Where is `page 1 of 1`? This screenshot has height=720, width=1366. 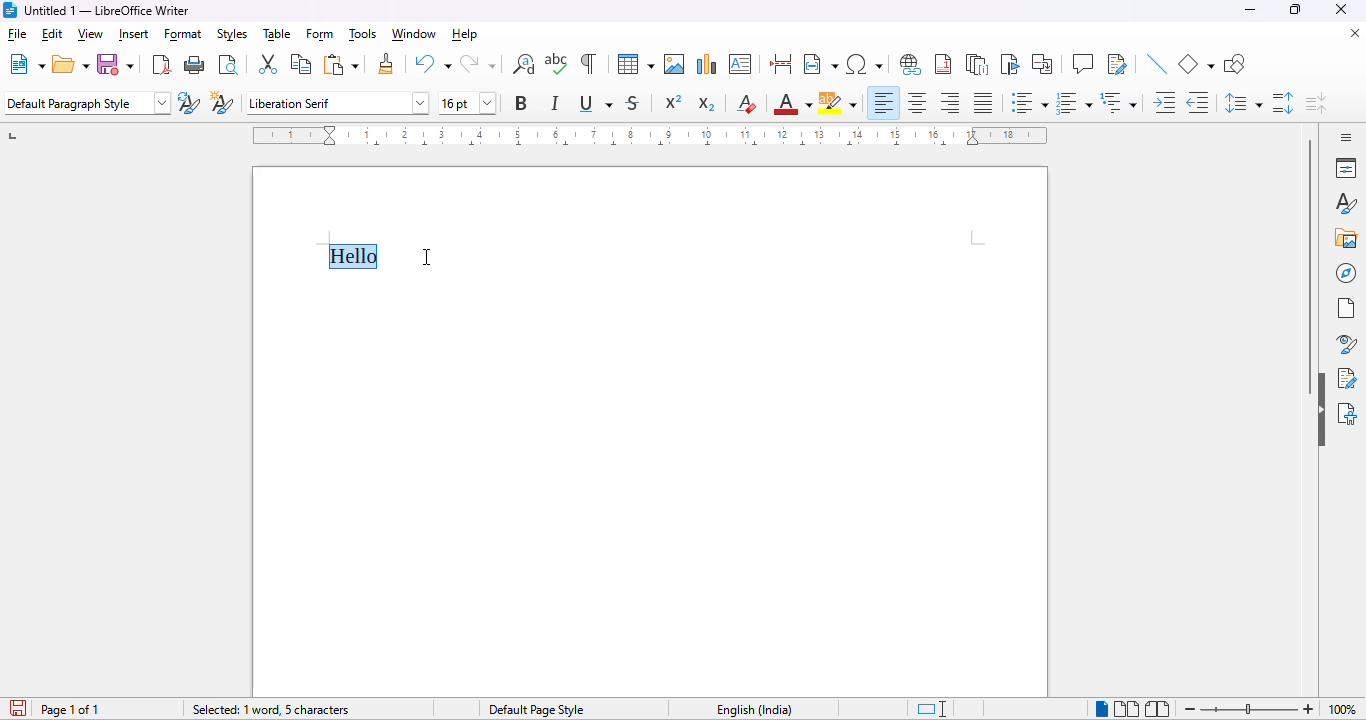 page 1 of 1 is located at coordinates (72, 710).